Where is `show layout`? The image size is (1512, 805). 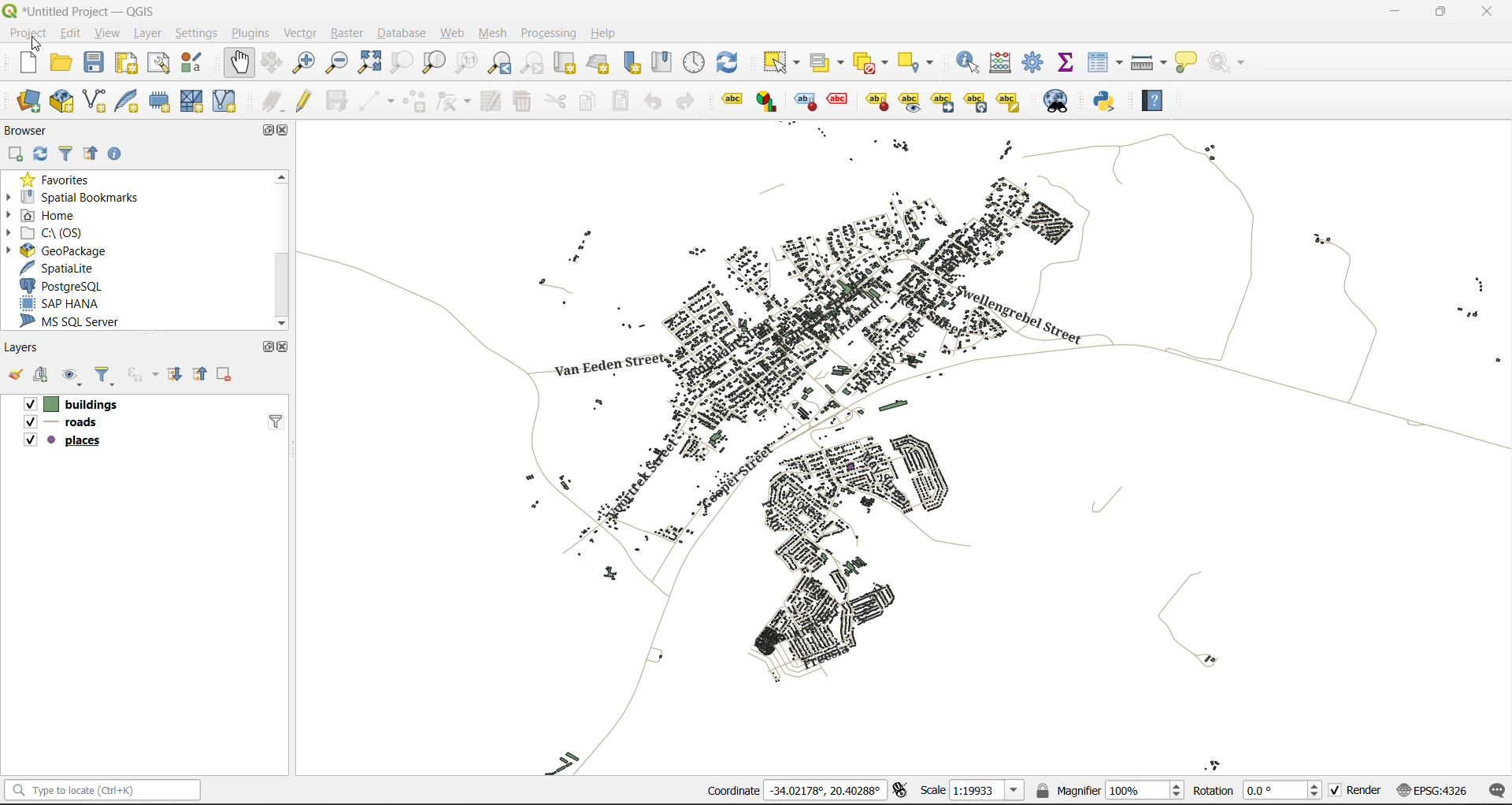 show layout is located at coordinates (157, 61).